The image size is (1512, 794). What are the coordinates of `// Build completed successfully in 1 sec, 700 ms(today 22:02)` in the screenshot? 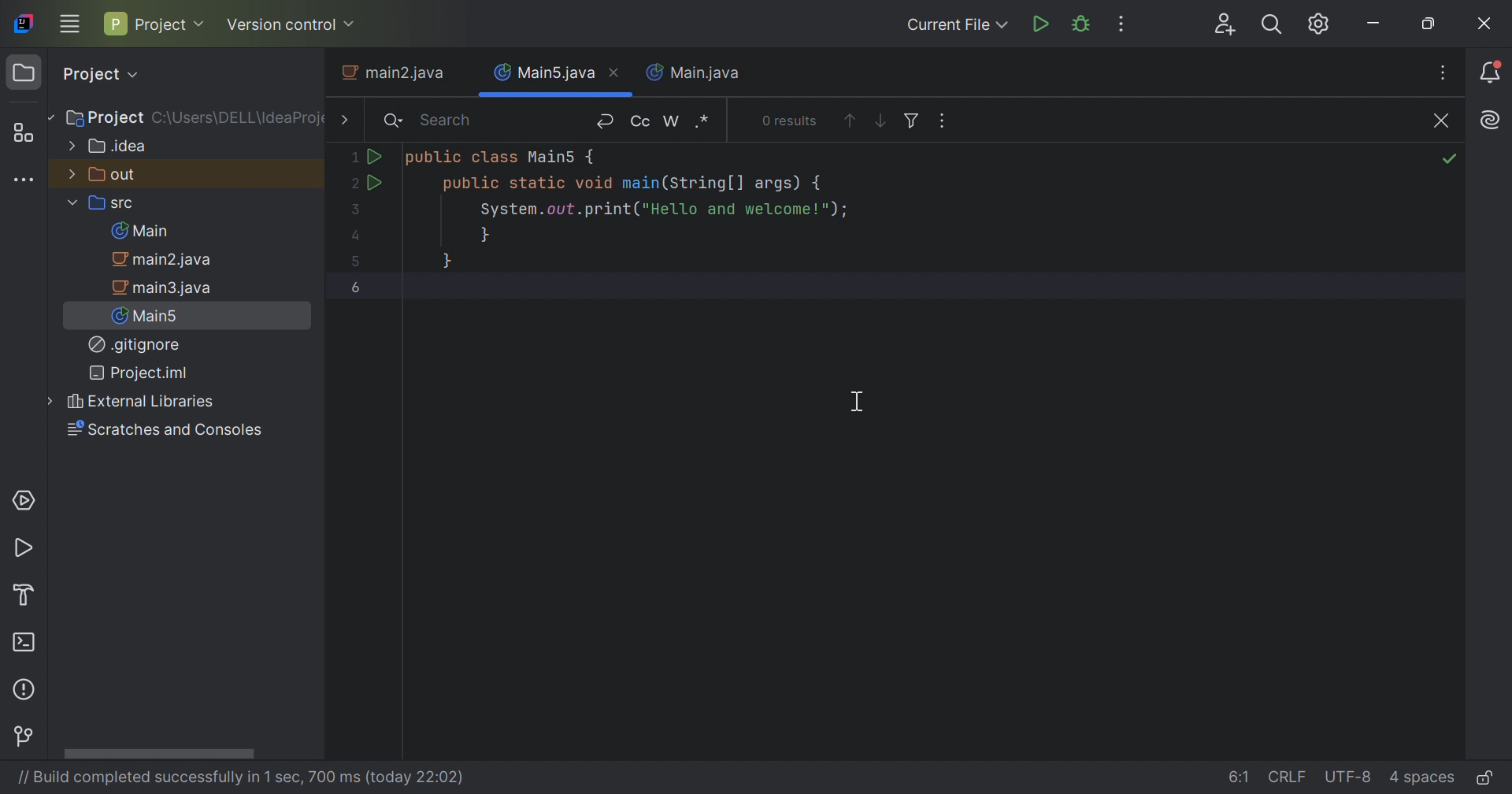 It's located at (237, 777).